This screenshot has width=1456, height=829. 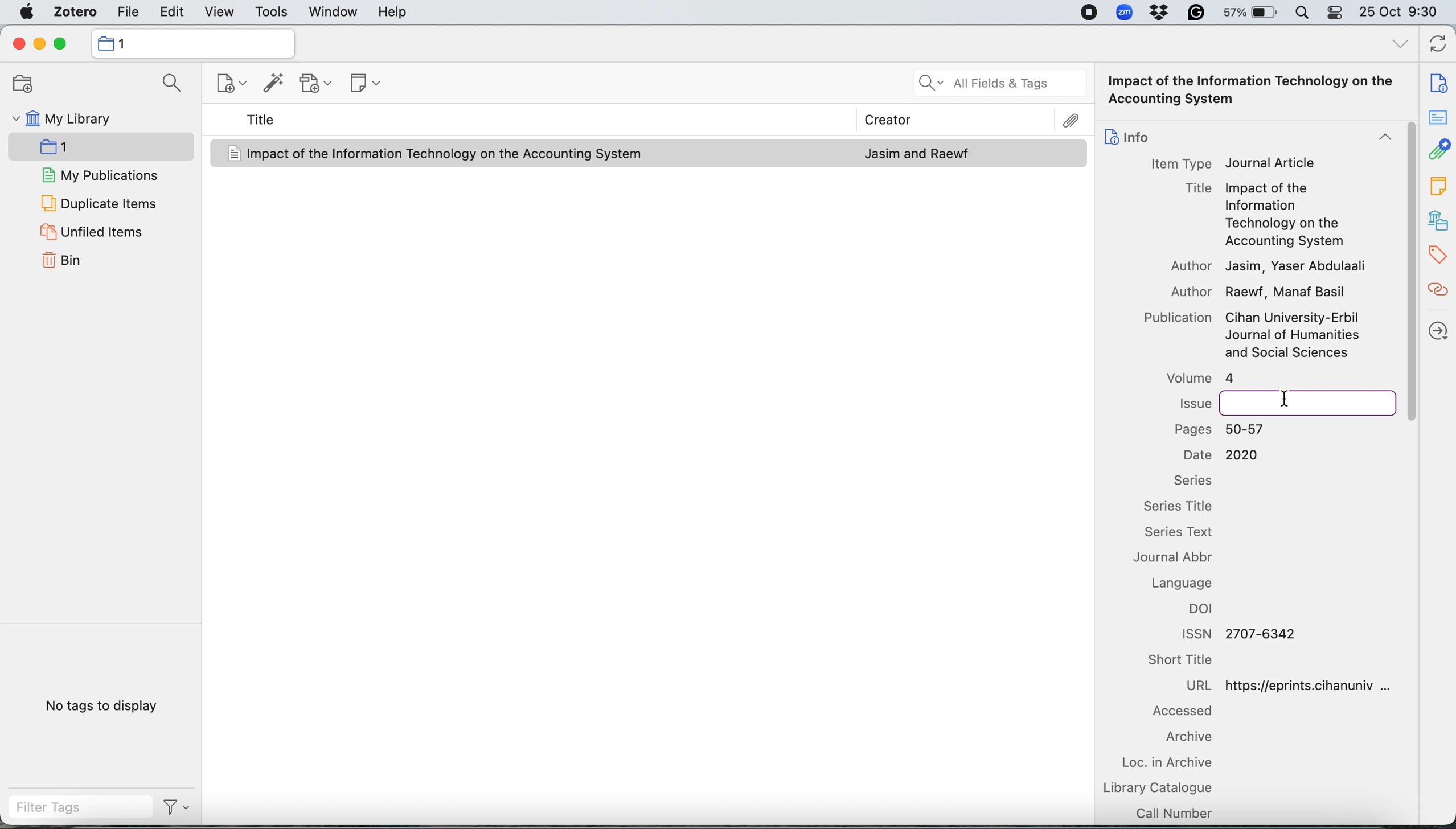 What do you see at coordinates (1171, 763) in the screenshot?
I see `loc in archive` at bounding box center [1171, 763].